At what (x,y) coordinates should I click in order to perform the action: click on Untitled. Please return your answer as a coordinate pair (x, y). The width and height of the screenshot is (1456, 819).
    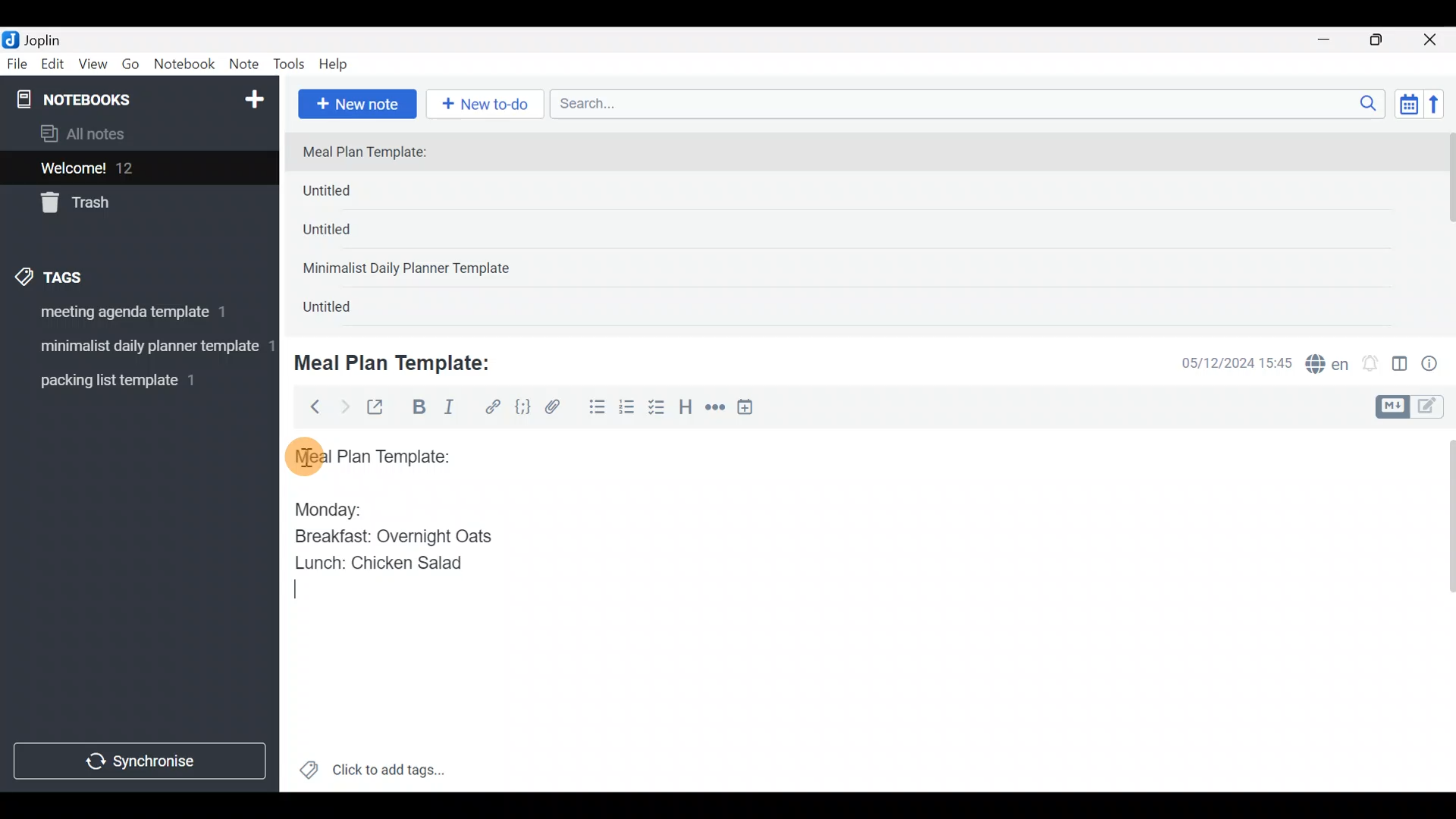
    Looking at the image, I should click on (347, 234).